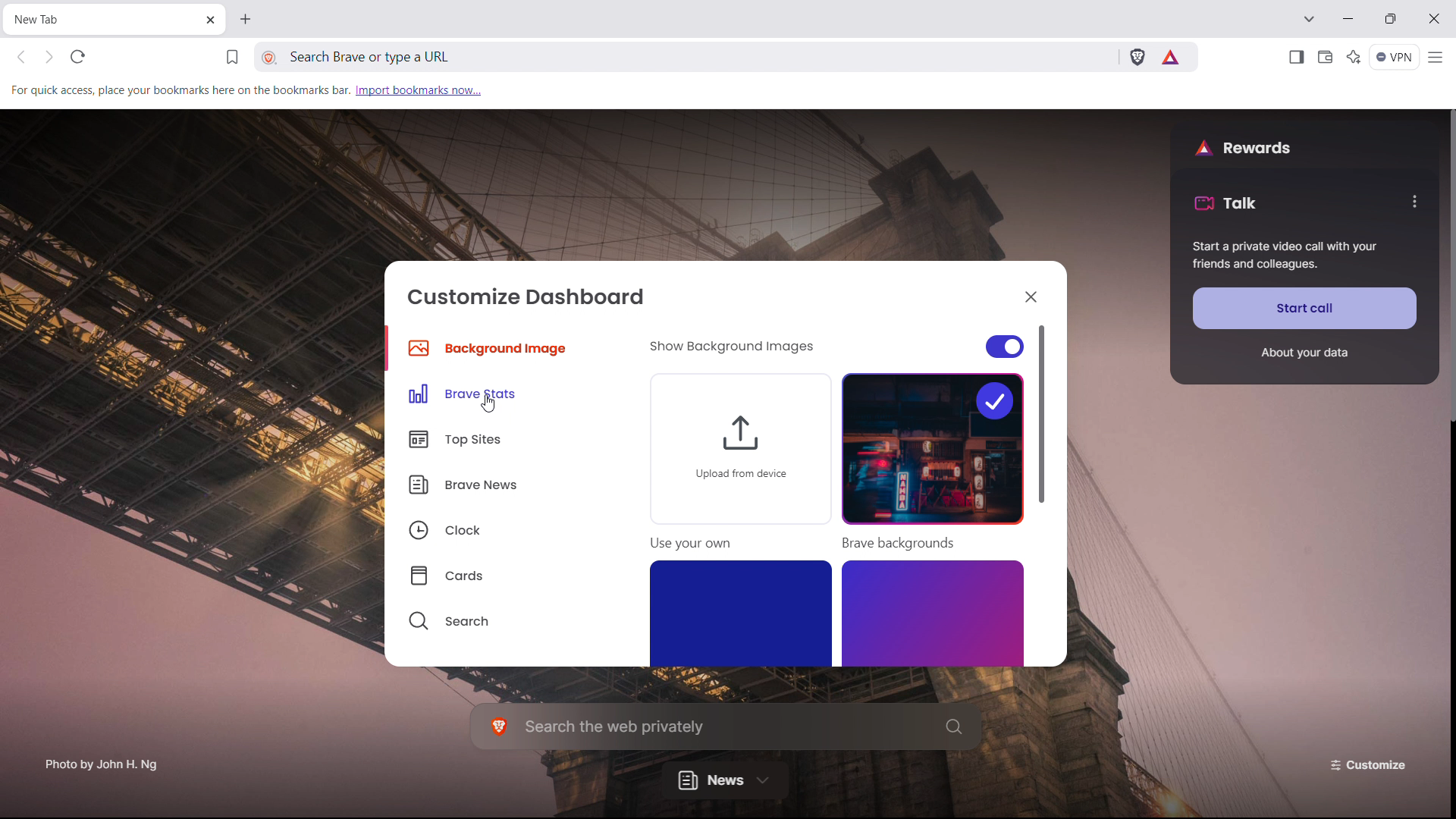  What do you see at coordinates (1031, 296) in the screenshot?
I see `close` at bounding box center [1031, 296].